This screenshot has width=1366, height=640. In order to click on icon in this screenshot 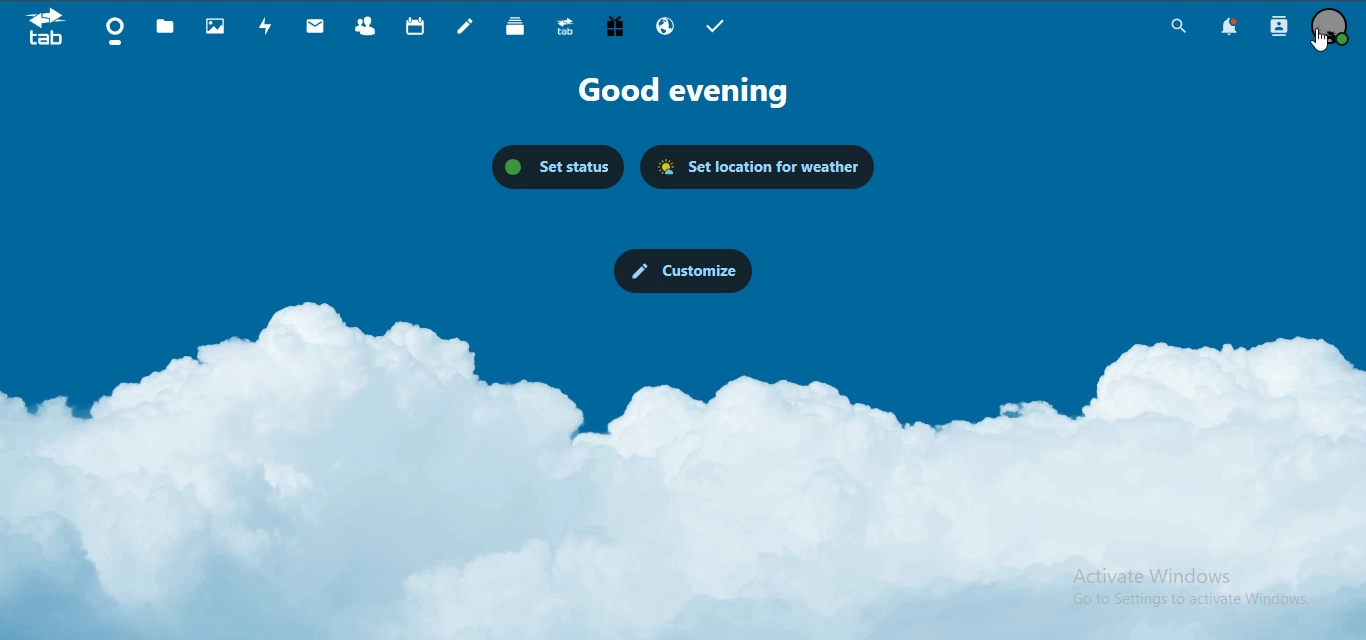, I will do `click(45, 27)`.